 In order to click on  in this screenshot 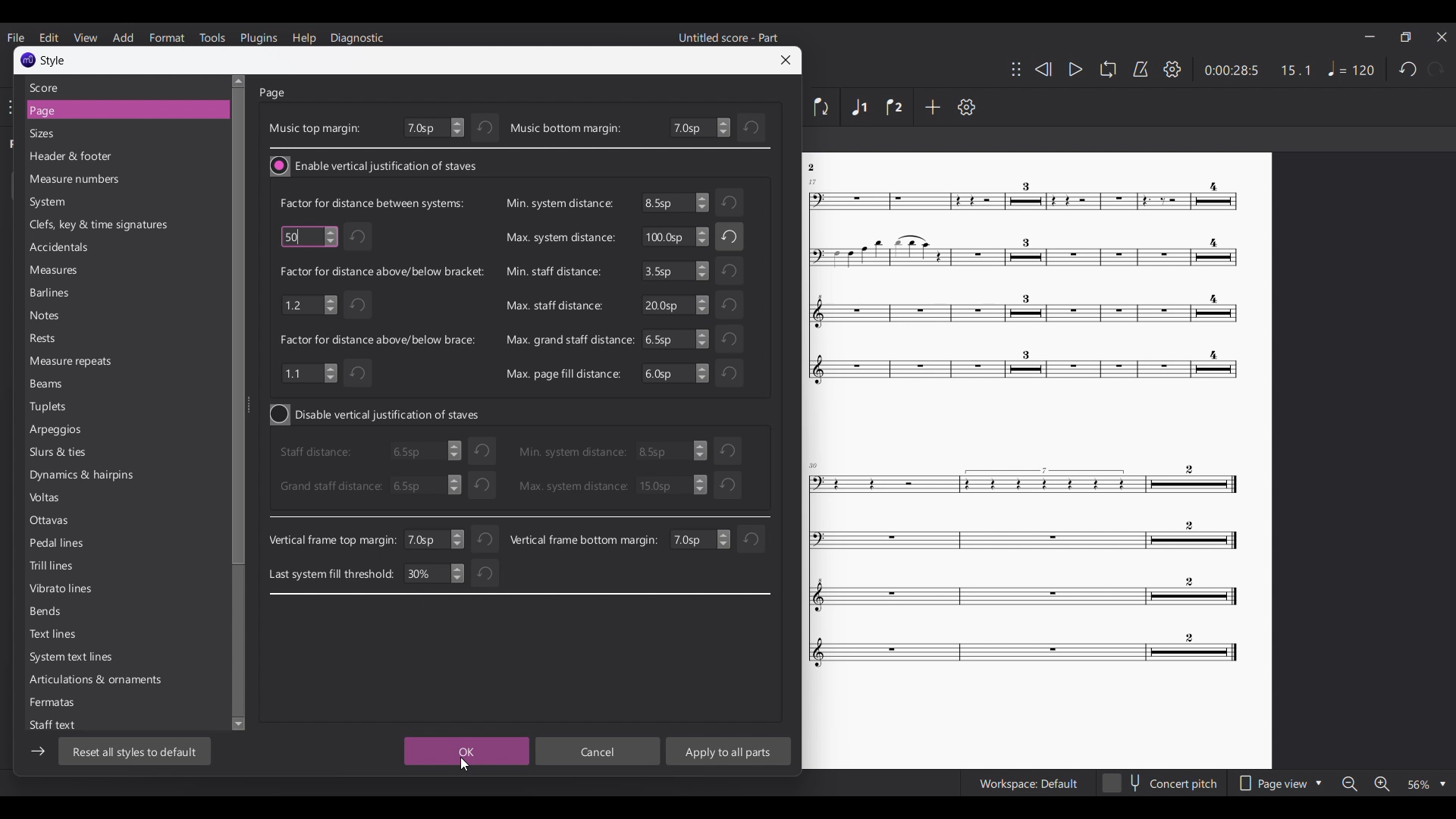, I will do `click(816, 168)`.